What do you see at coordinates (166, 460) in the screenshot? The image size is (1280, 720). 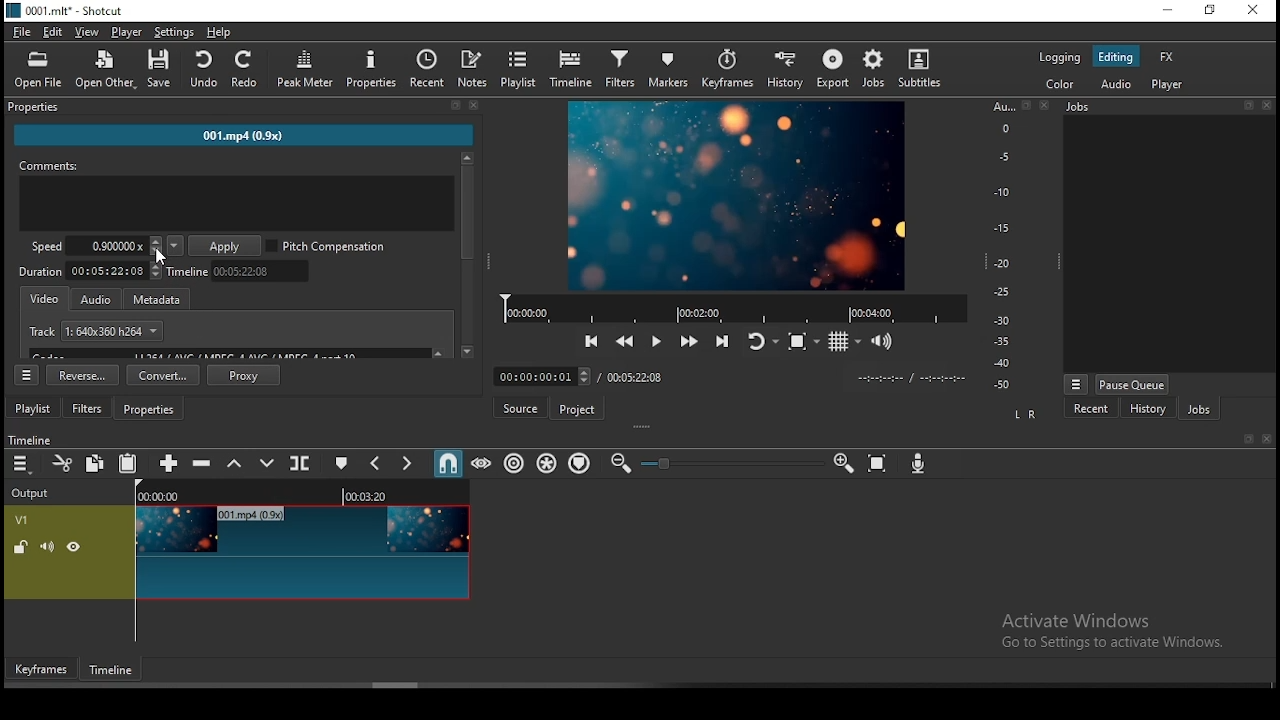 I see `append` at bounding box center [166, 460].